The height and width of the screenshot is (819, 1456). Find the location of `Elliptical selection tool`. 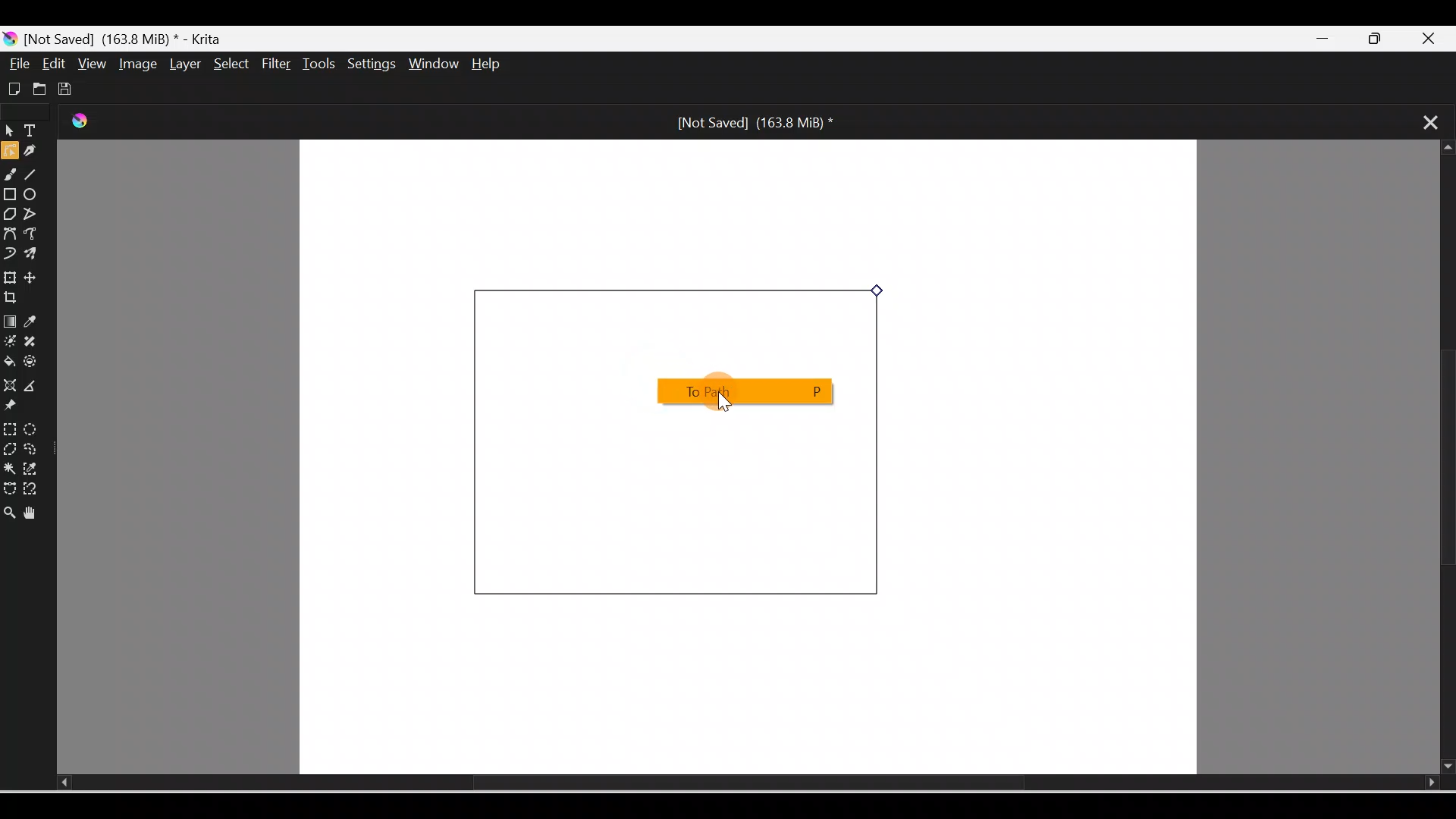

Elliptical selection tool is located at coordinates (31, 427).